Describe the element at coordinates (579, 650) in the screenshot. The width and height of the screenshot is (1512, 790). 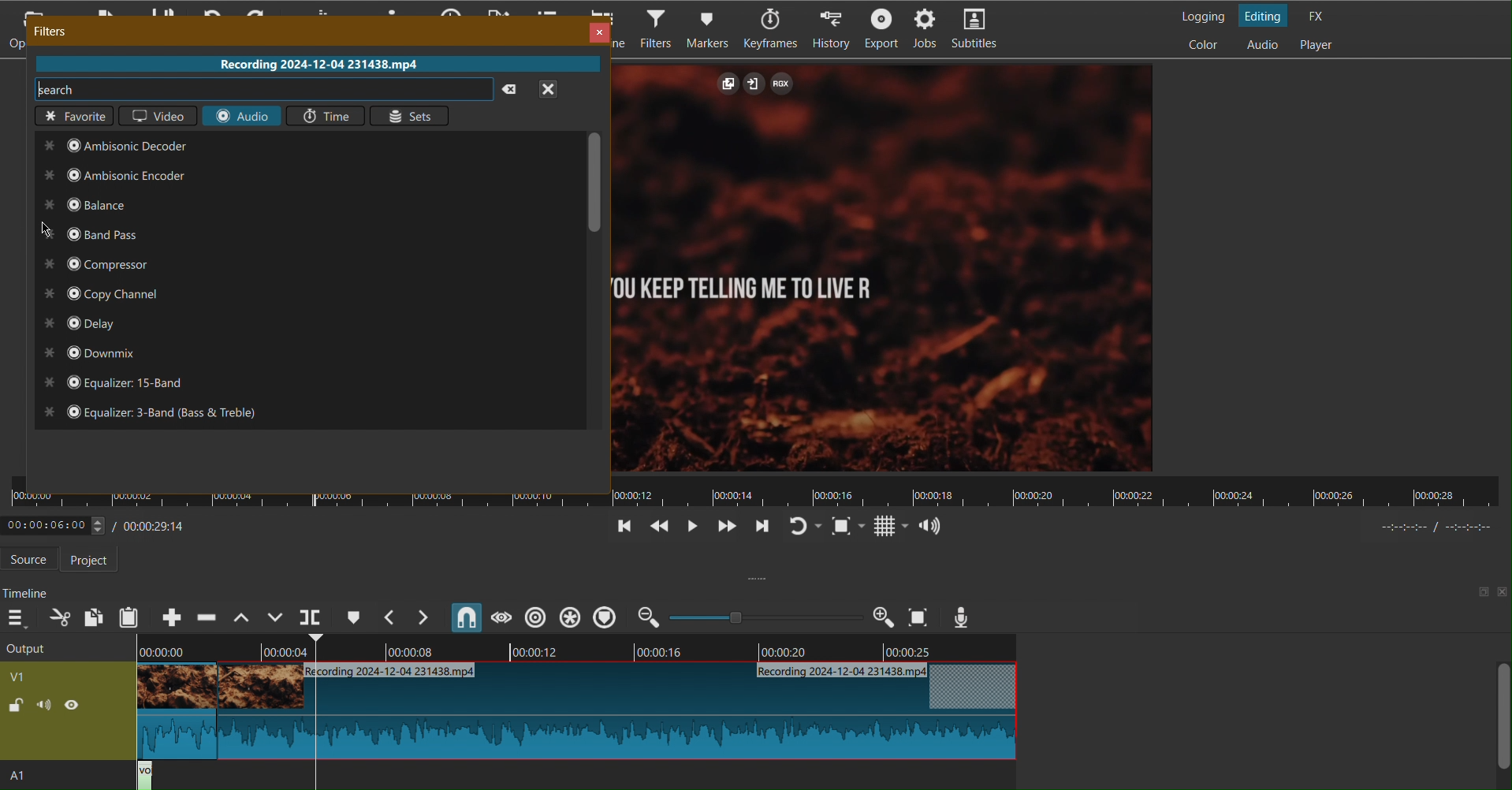
I see `Timeline` at that location.